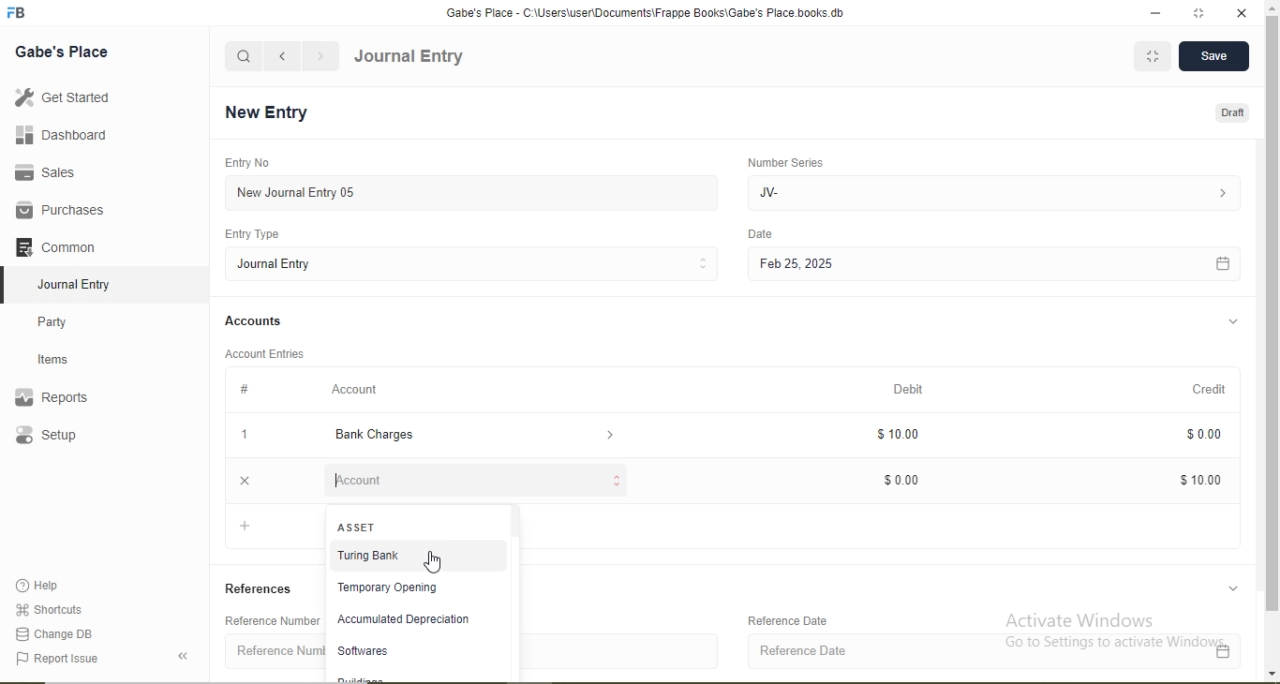 The width and height of the screenshot is (1280, 684). Describe the element at coordinates (186, 656) in the screenshot. I see `collapse sidebar` at that location.